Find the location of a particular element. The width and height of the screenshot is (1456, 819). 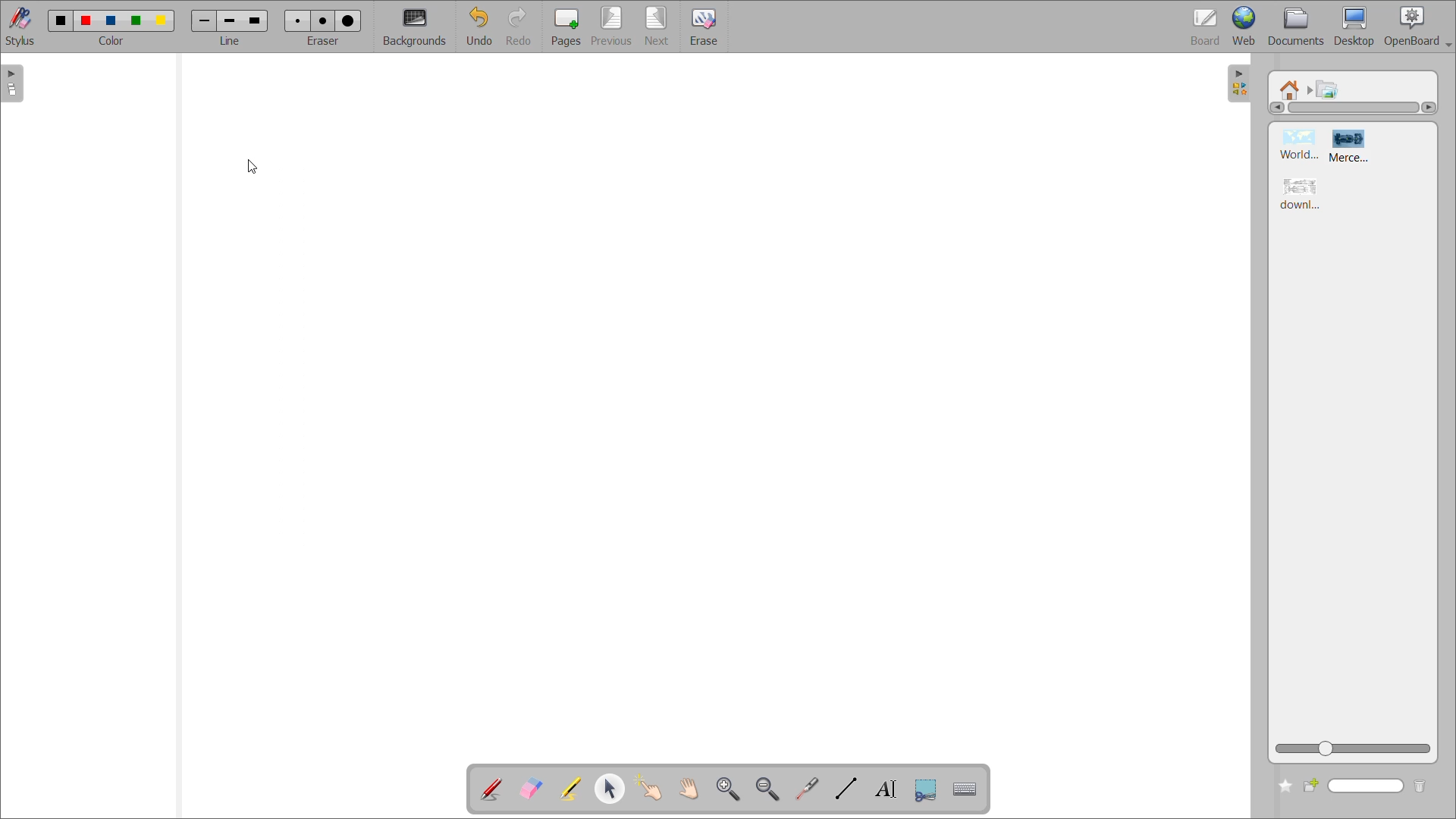

color is located at coordinates (118, 45).